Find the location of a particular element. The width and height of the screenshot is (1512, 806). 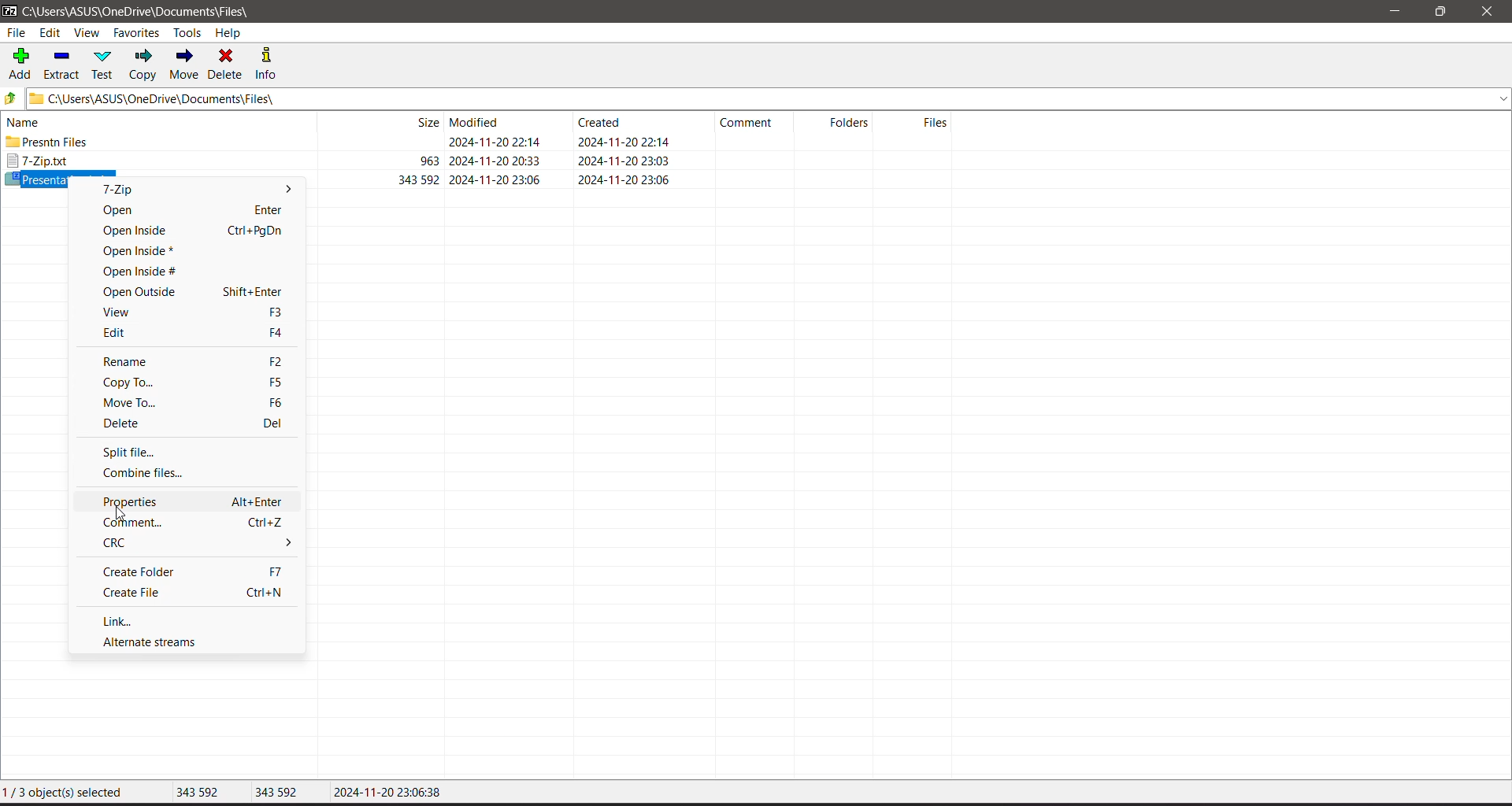

7-Zip is located at coordinates (132, 190).